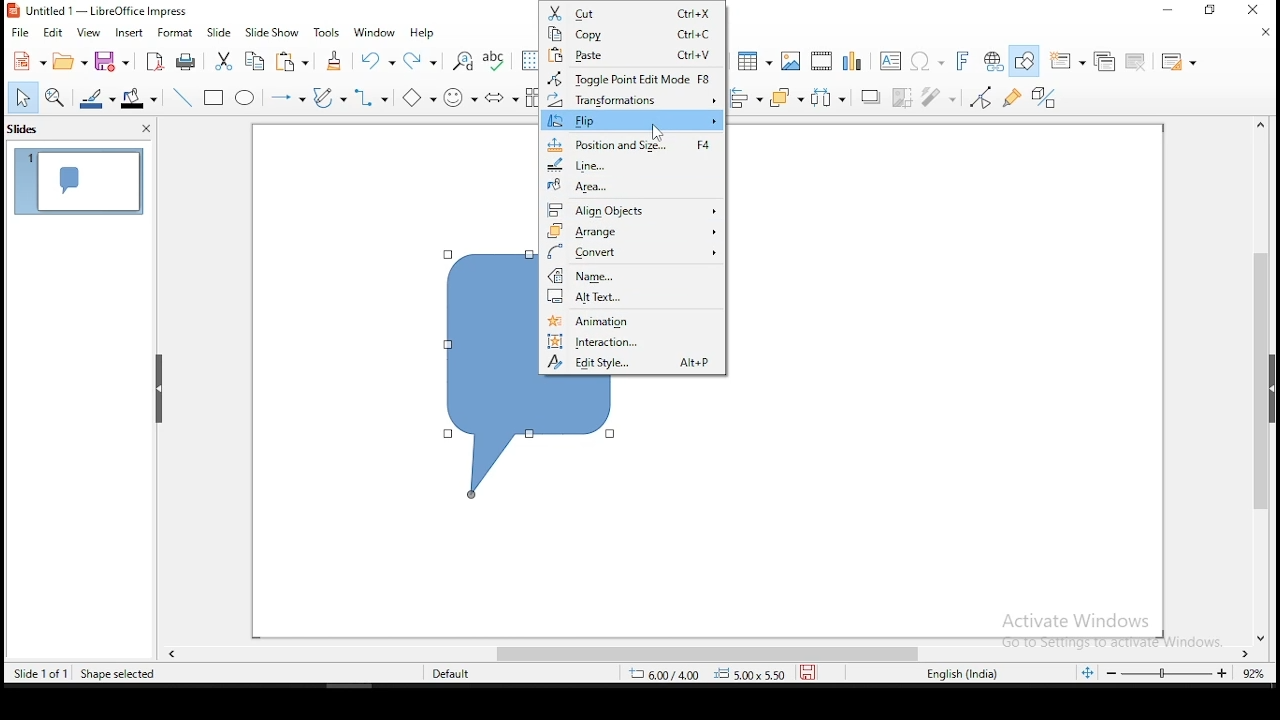 The width and height of the screenshot is (1280, 720). What do you see at coordinates (633, 363) in the screenshot?
I see `edit style` at bounding box center [633, 363].